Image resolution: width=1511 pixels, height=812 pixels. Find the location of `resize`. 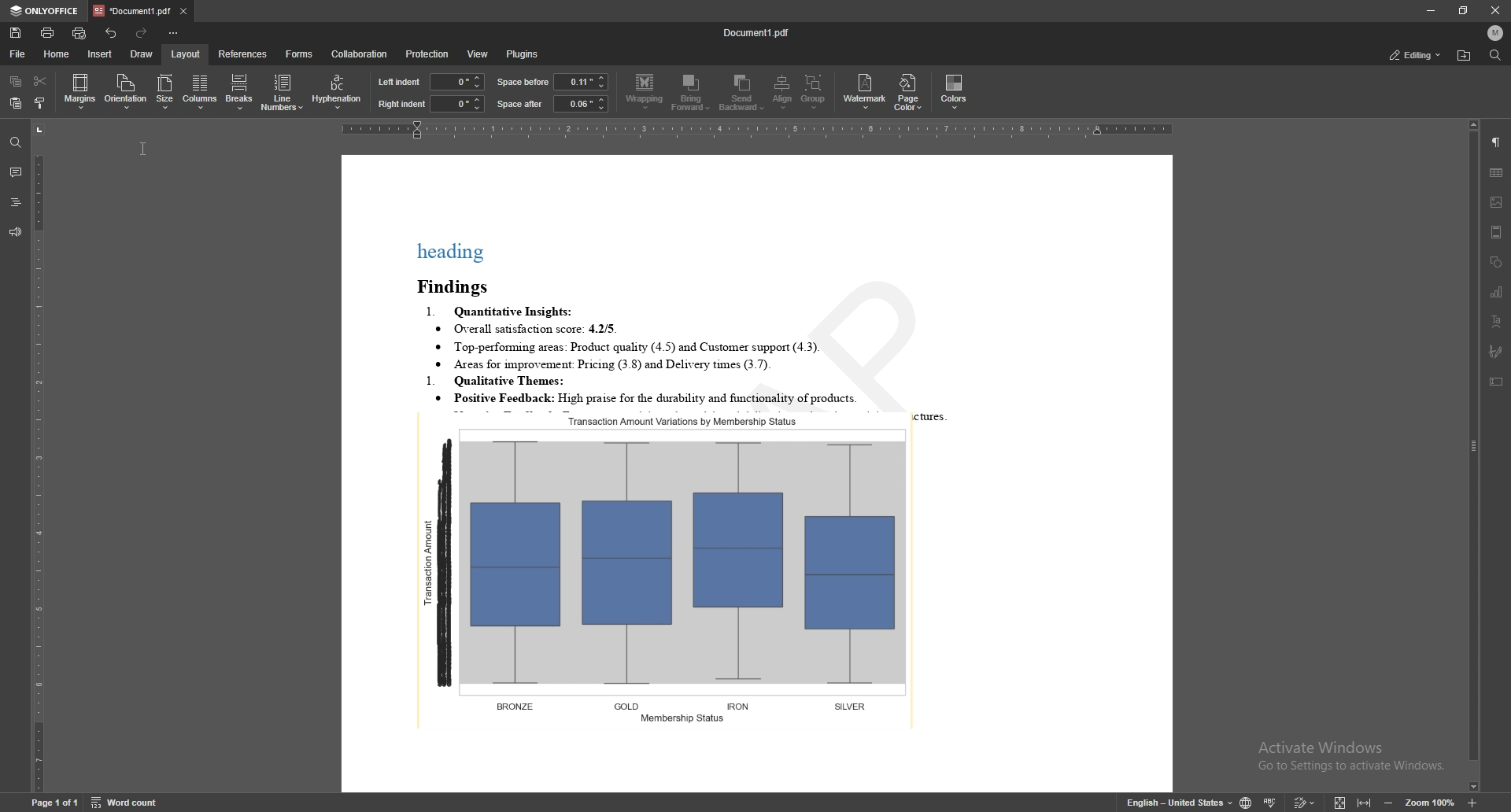

resize is located at coordinates (1463, 11).